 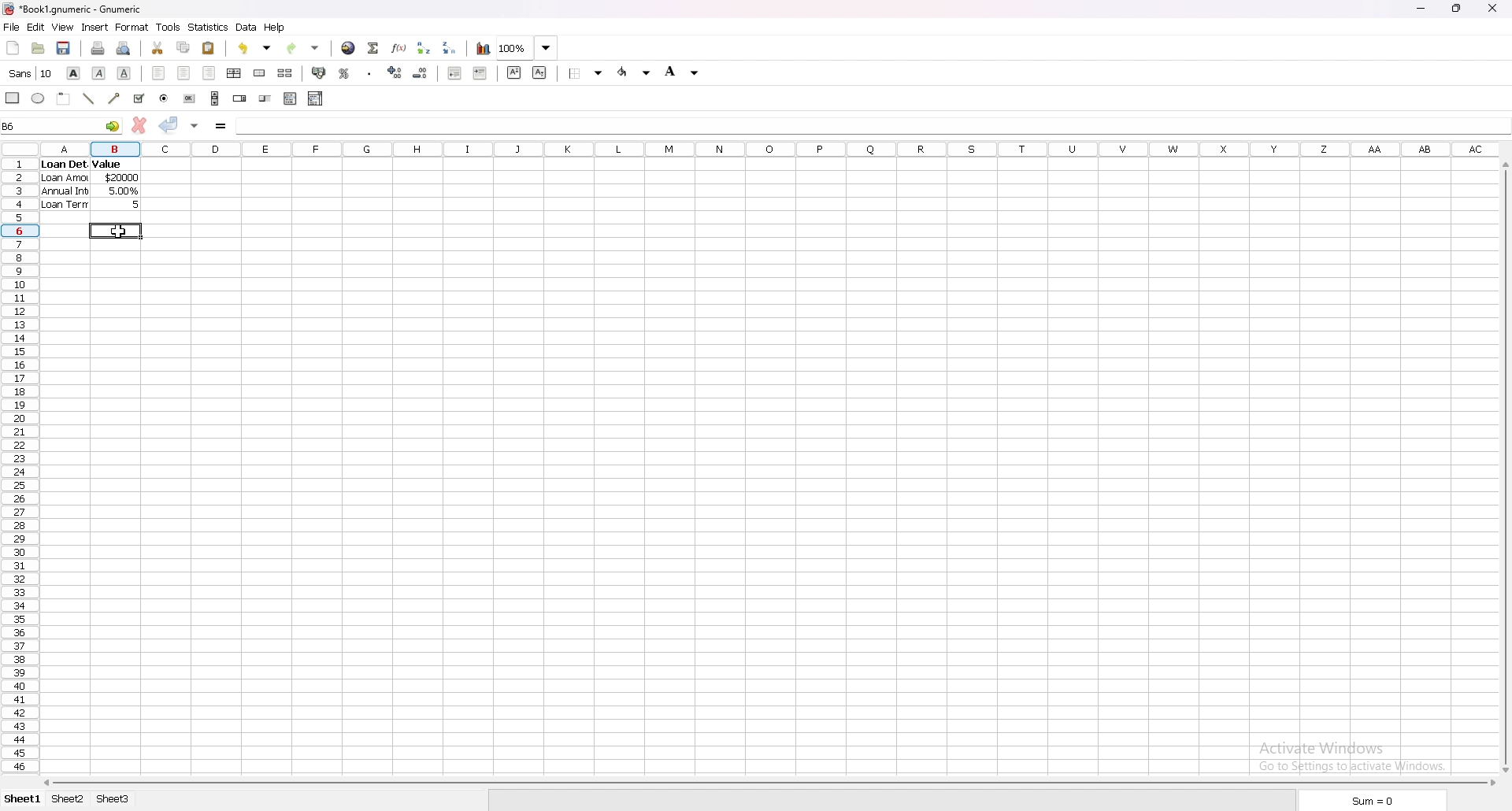 What do you see at coordinates (539, 72) in the screenshot?
I see `subscript` at bounding box center [539, 72].